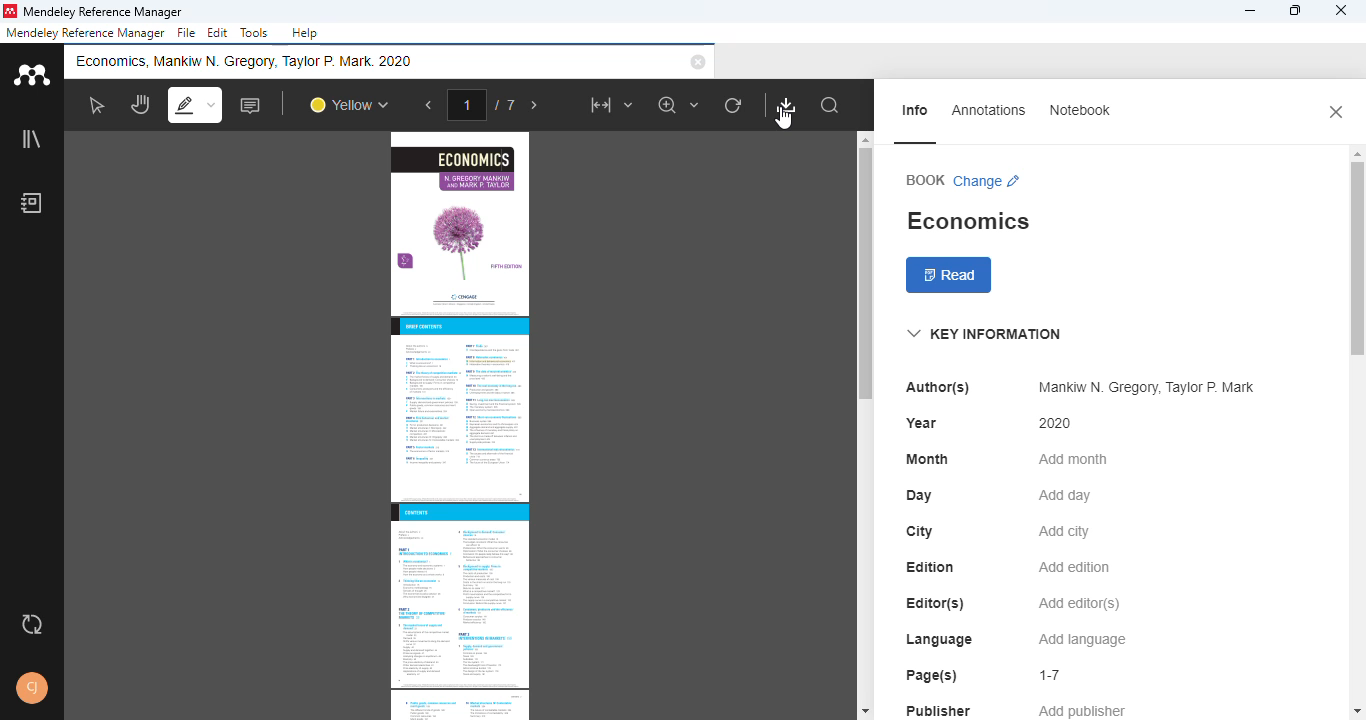 This screenshot has height=720, width=1366. I want to click on pan, so click(139, 105).